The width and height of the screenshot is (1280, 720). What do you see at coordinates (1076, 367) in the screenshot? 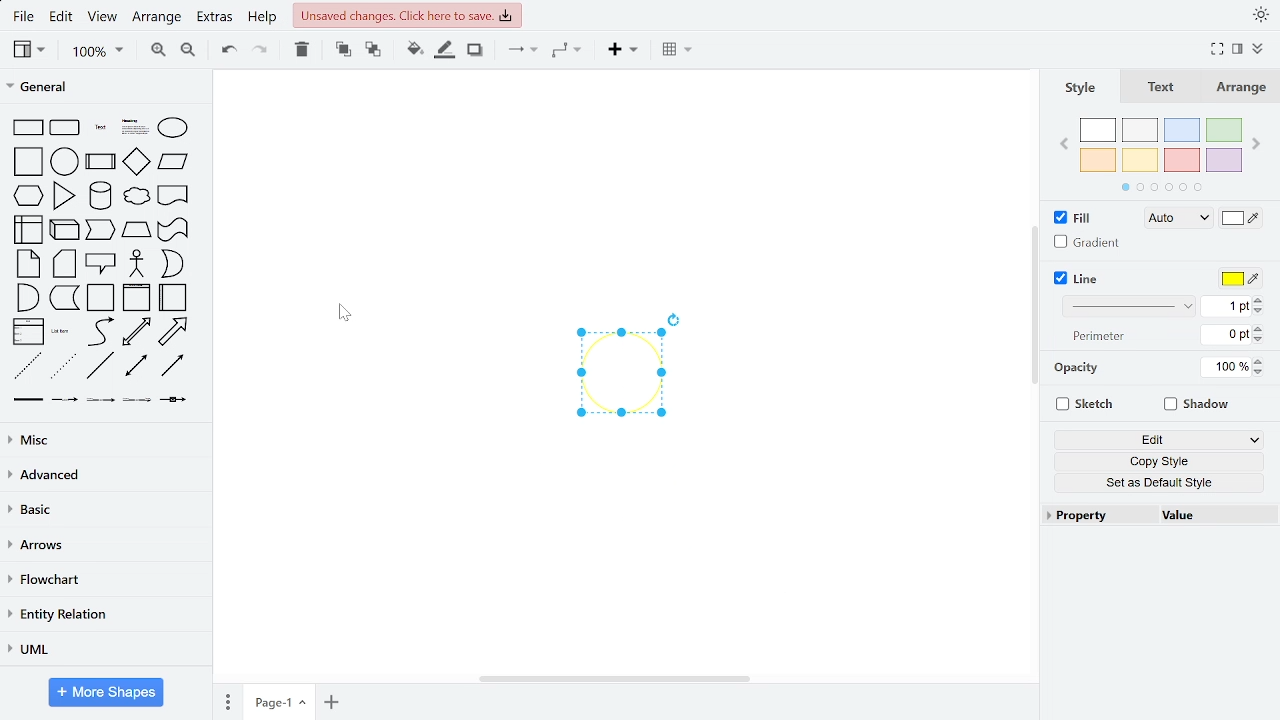
I see `opacity` at bounding box center [1076, 367].